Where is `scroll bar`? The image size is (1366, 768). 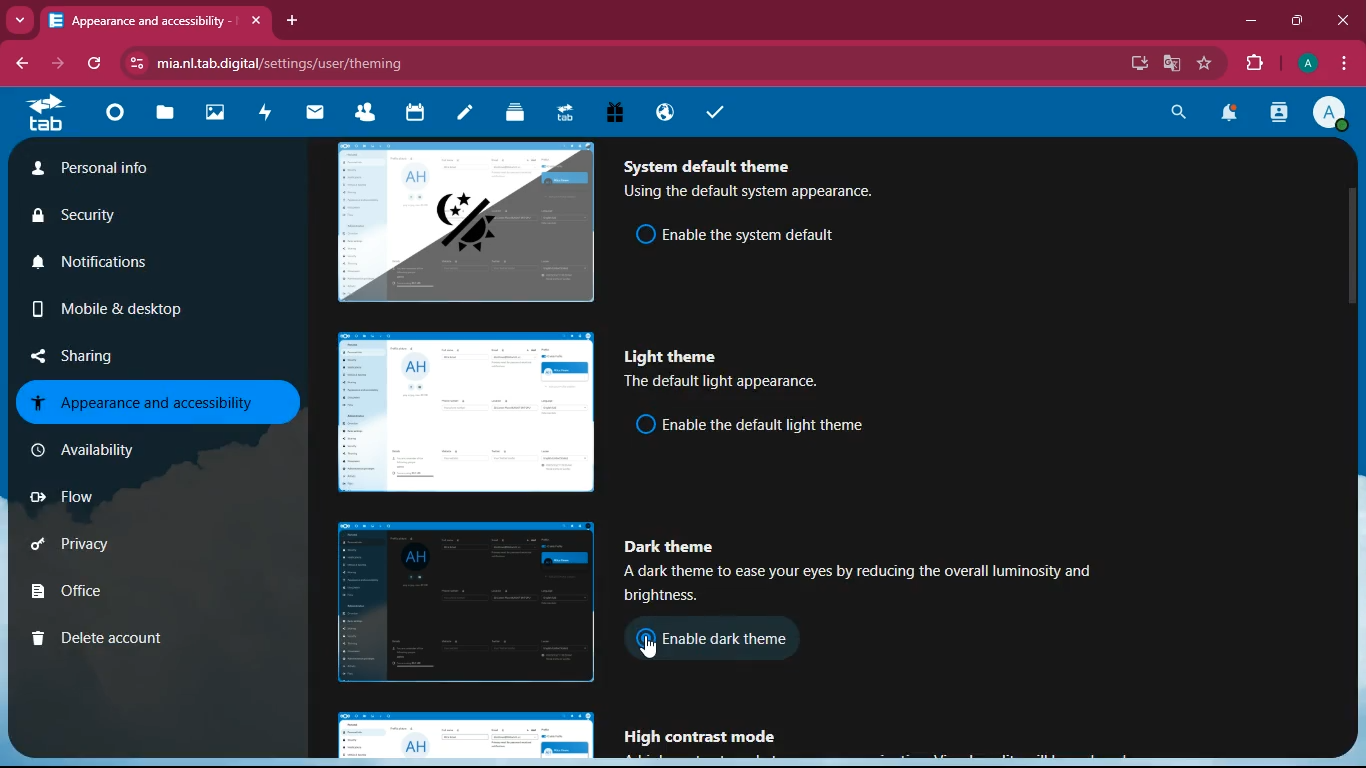
scroll bar is located at coordinates (1356, 347).